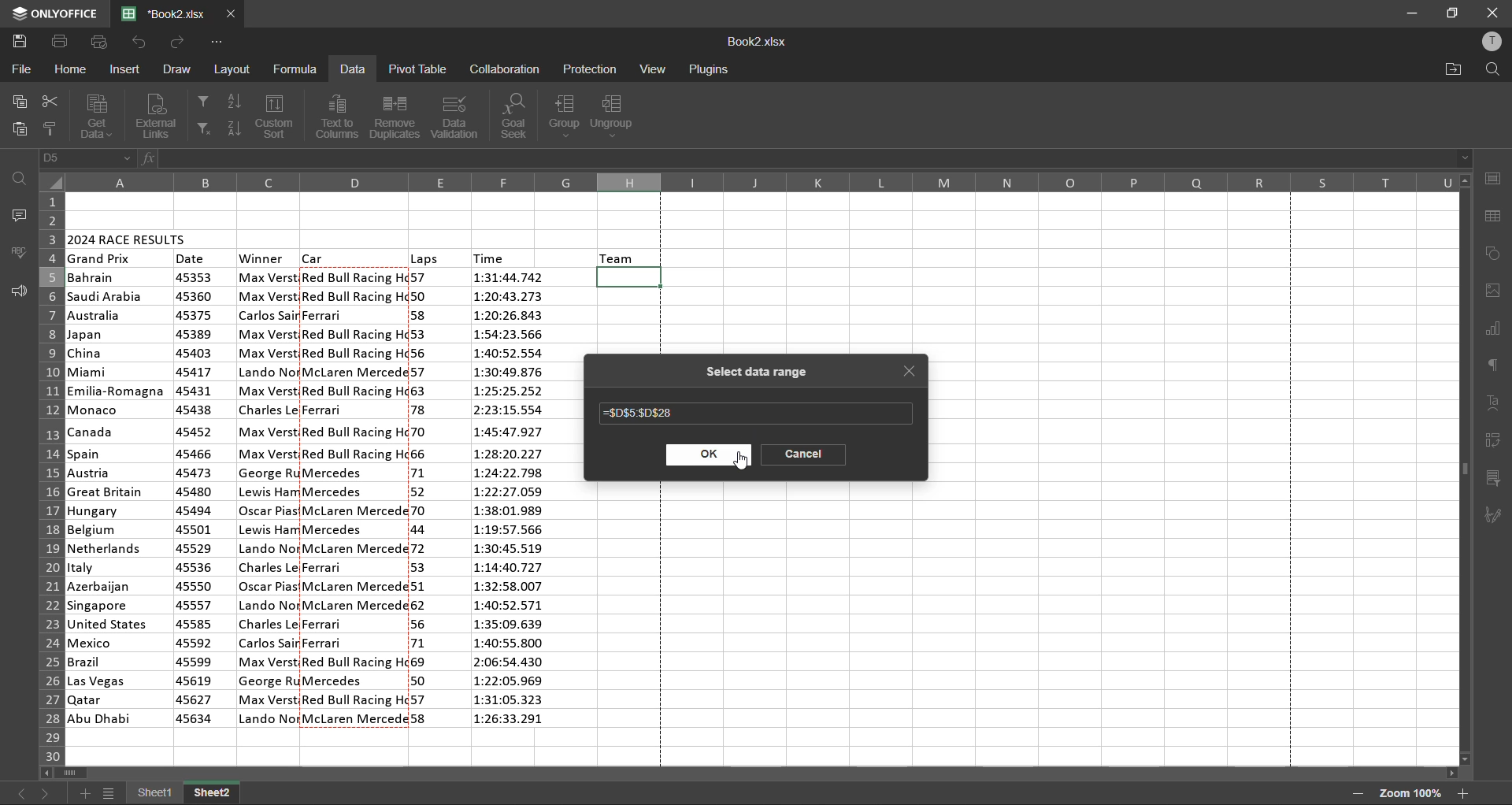  Describe the element at coordinates (1454, 69) in the screenshot. I see `open location` at that location.